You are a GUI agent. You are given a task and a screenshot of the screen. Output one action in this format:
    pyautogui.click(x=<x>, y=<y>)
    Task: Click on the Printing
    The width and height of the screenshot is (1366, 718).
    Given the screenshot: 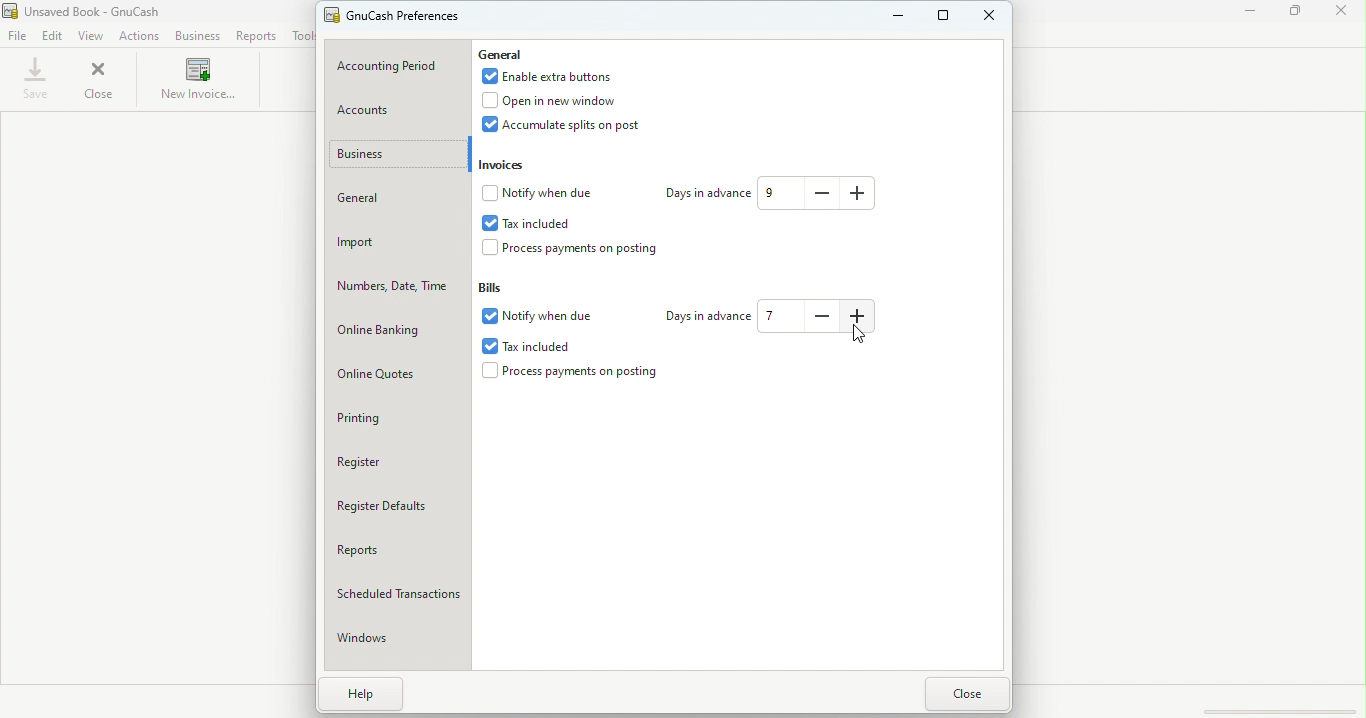 What is the action you would take?
    pyautogui.click(x=397, y=416)
    